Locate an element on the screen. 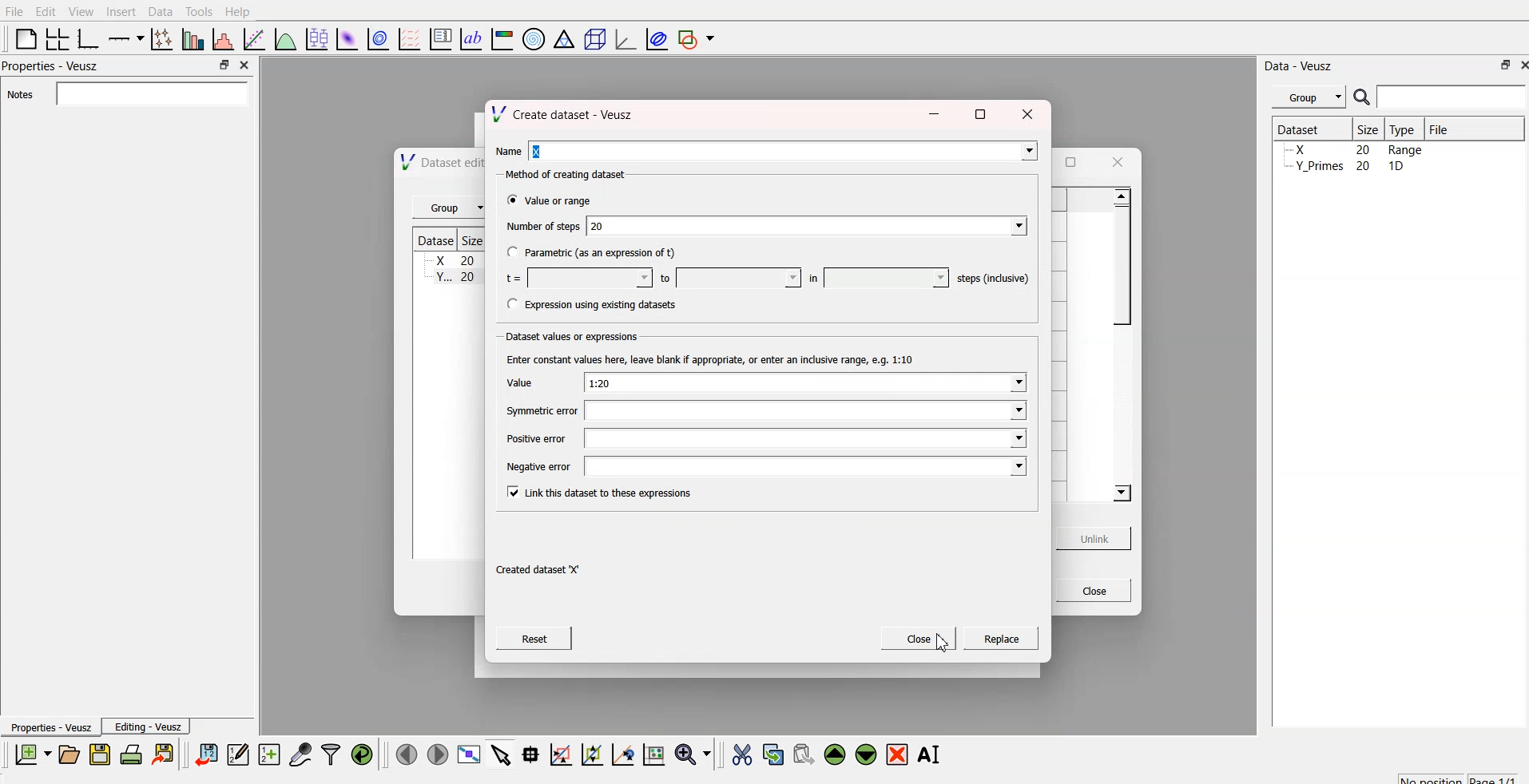 The width and height of the screenshot is (1529, 784). move to previous page is located at coordinates (404, 754).